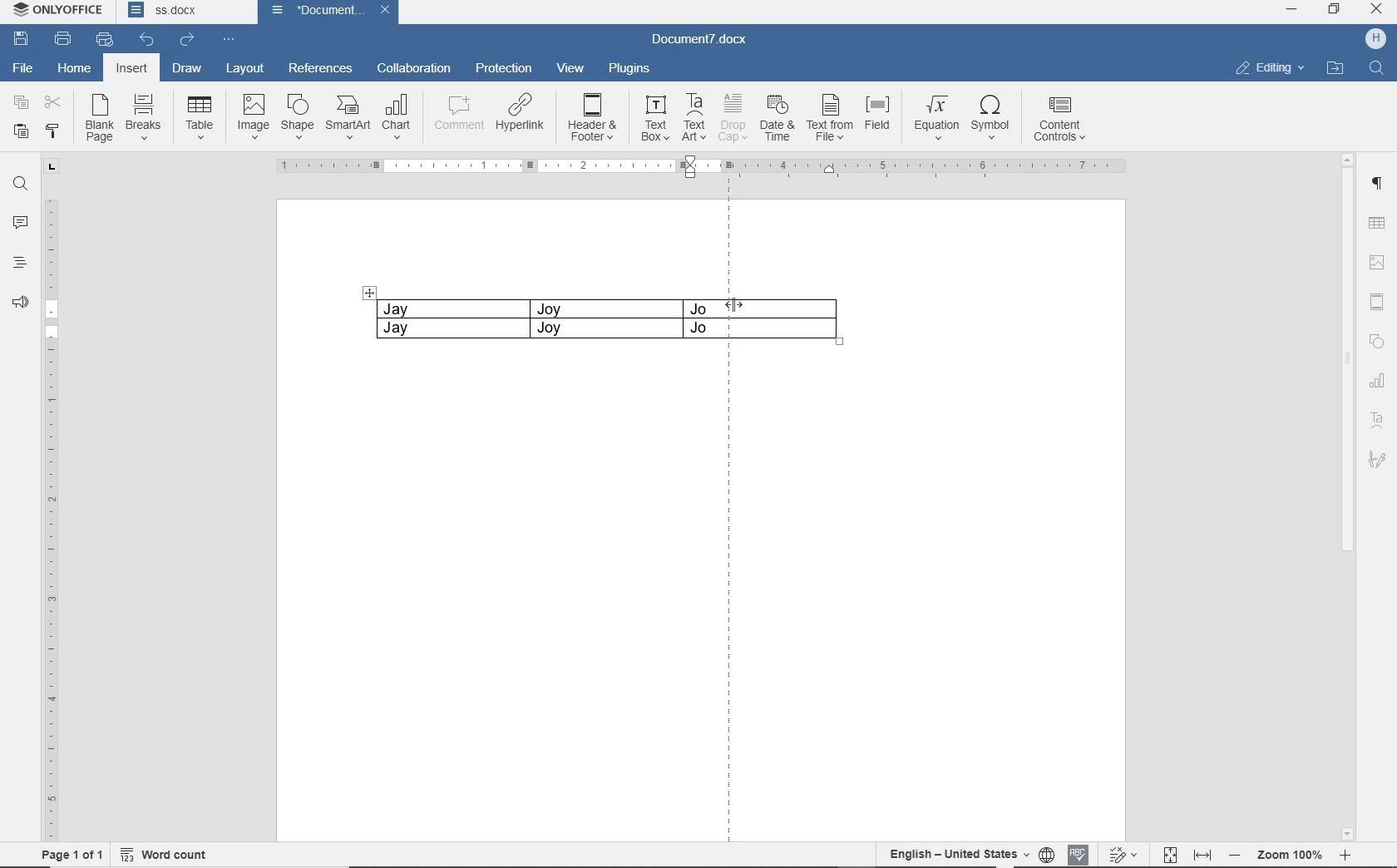 The width and height of the screenshot is (1397, 868). I want to click on SHAPE, so click(294, 116).